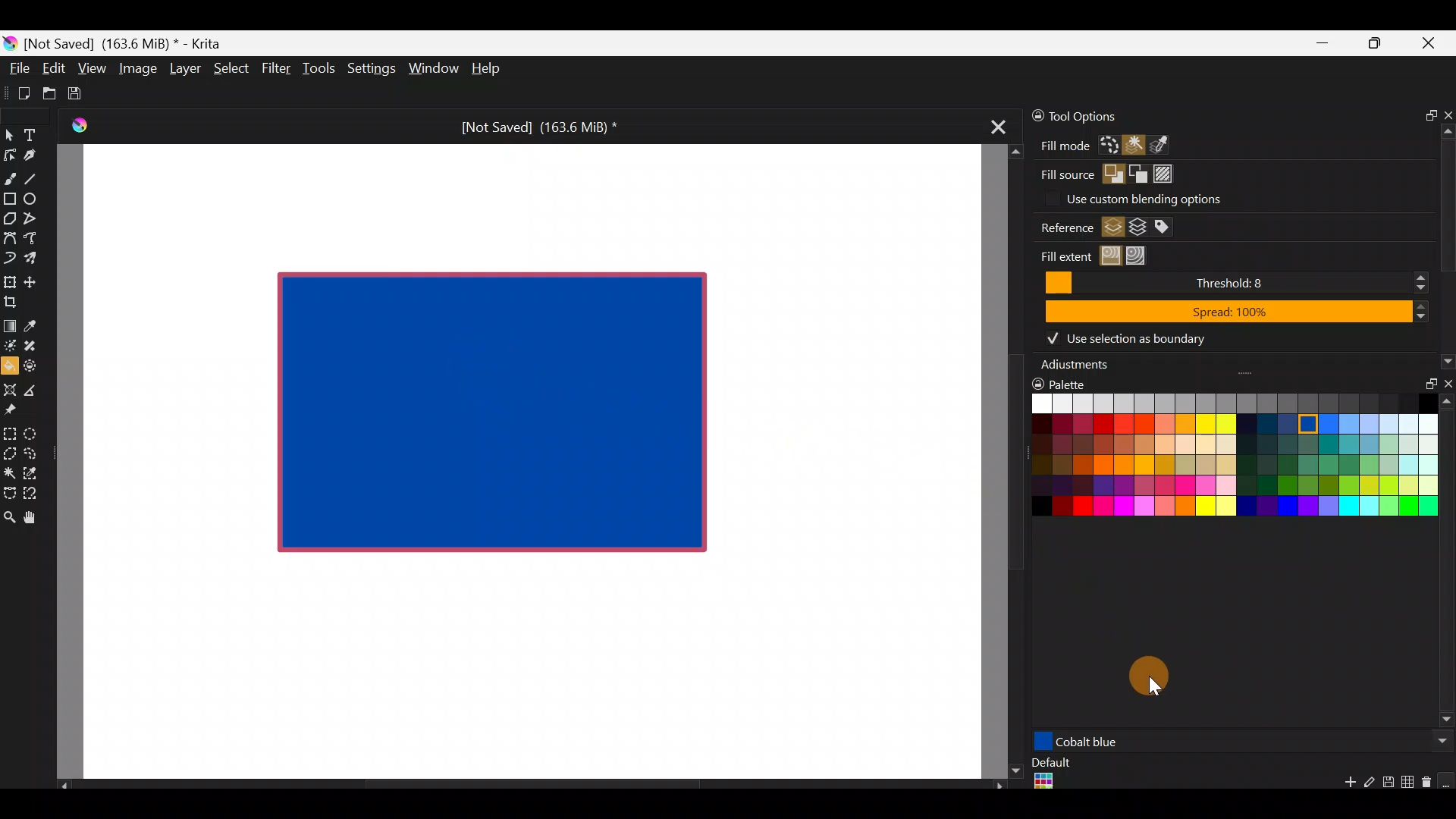 The image size is (1456, 819). What do you see at coordinates (1030, 116) in the screenshot?
I see `Lock docker` at bounding box center [1030, 116].